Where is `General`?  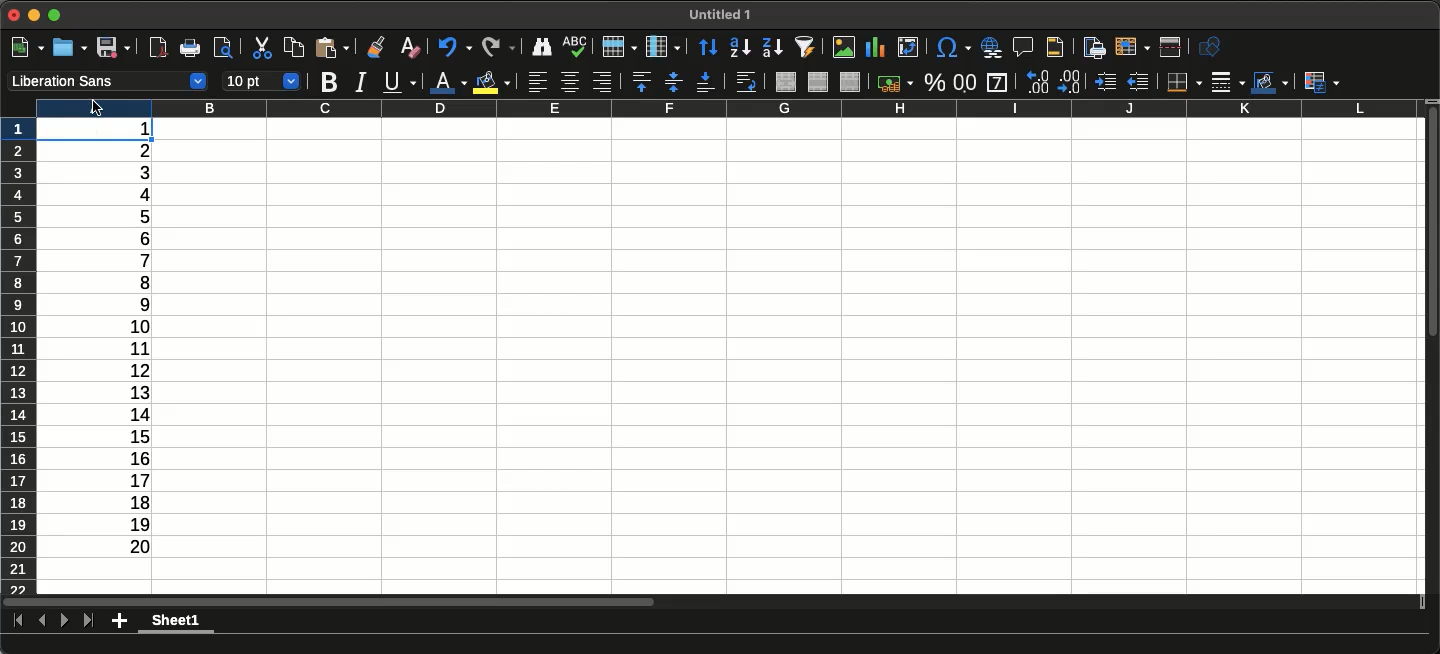
General is located at coordinates (997, 82).